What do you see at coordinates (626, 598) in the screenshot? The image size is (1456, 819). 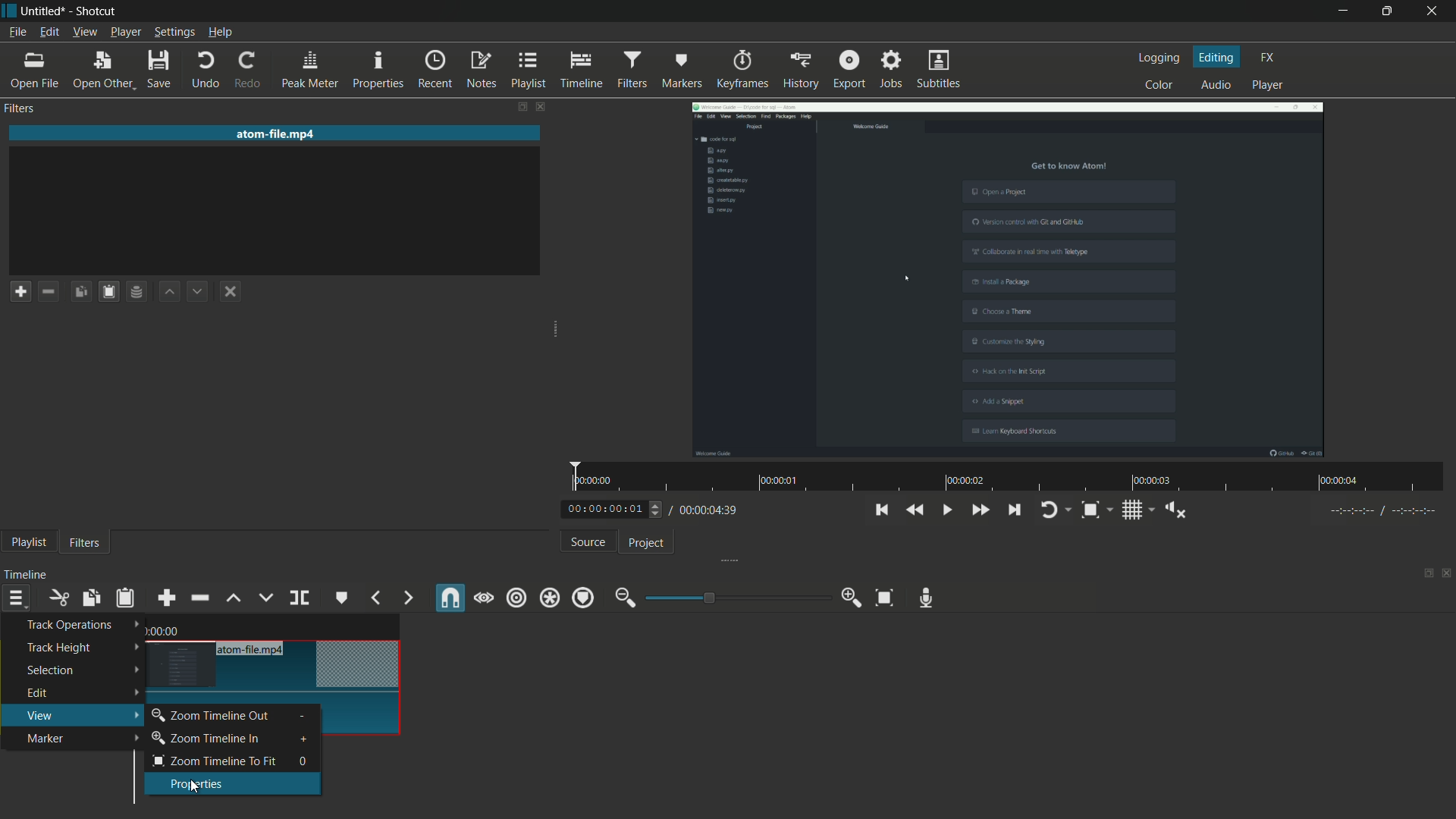 I see `zoom out` at bounding box center [626, 598].